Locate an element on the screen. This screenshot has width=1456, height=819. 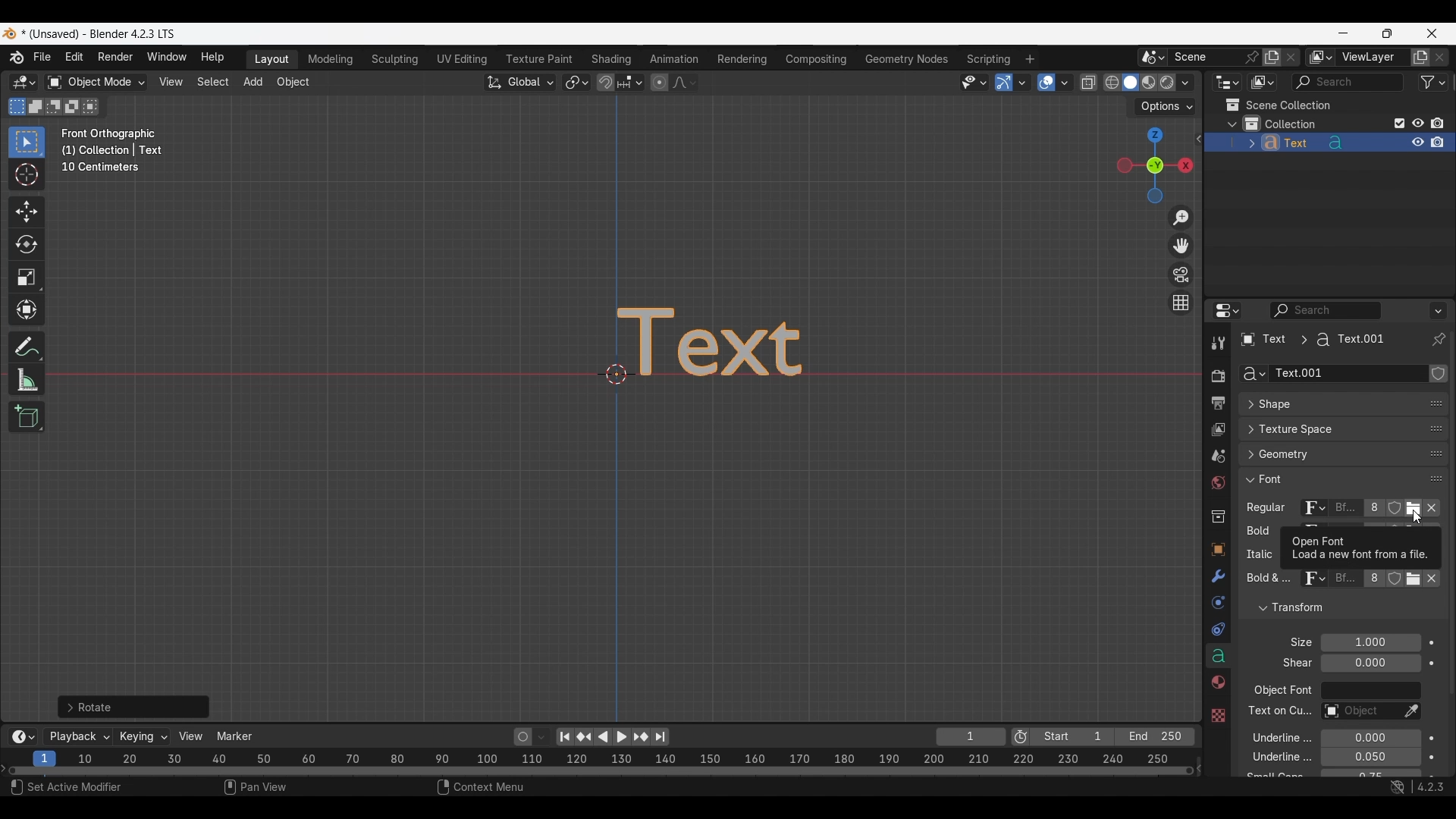
Gizmos is located at coordinates (1022, 82).